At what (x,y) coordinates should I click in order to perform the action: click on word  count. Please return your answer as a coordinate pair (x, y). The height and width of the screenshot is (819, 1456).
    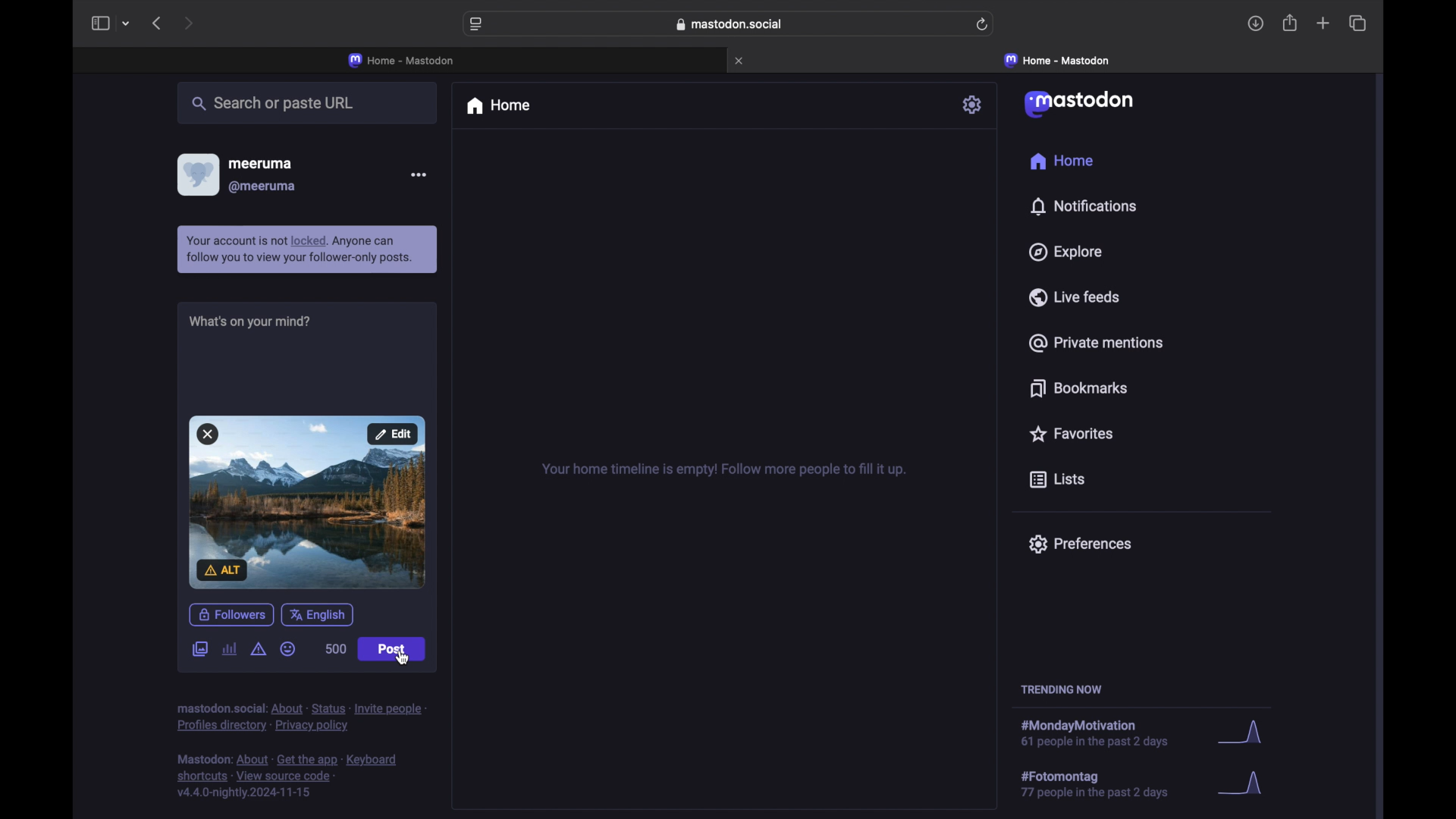
    Looking at the image, I should click on (335, 651).